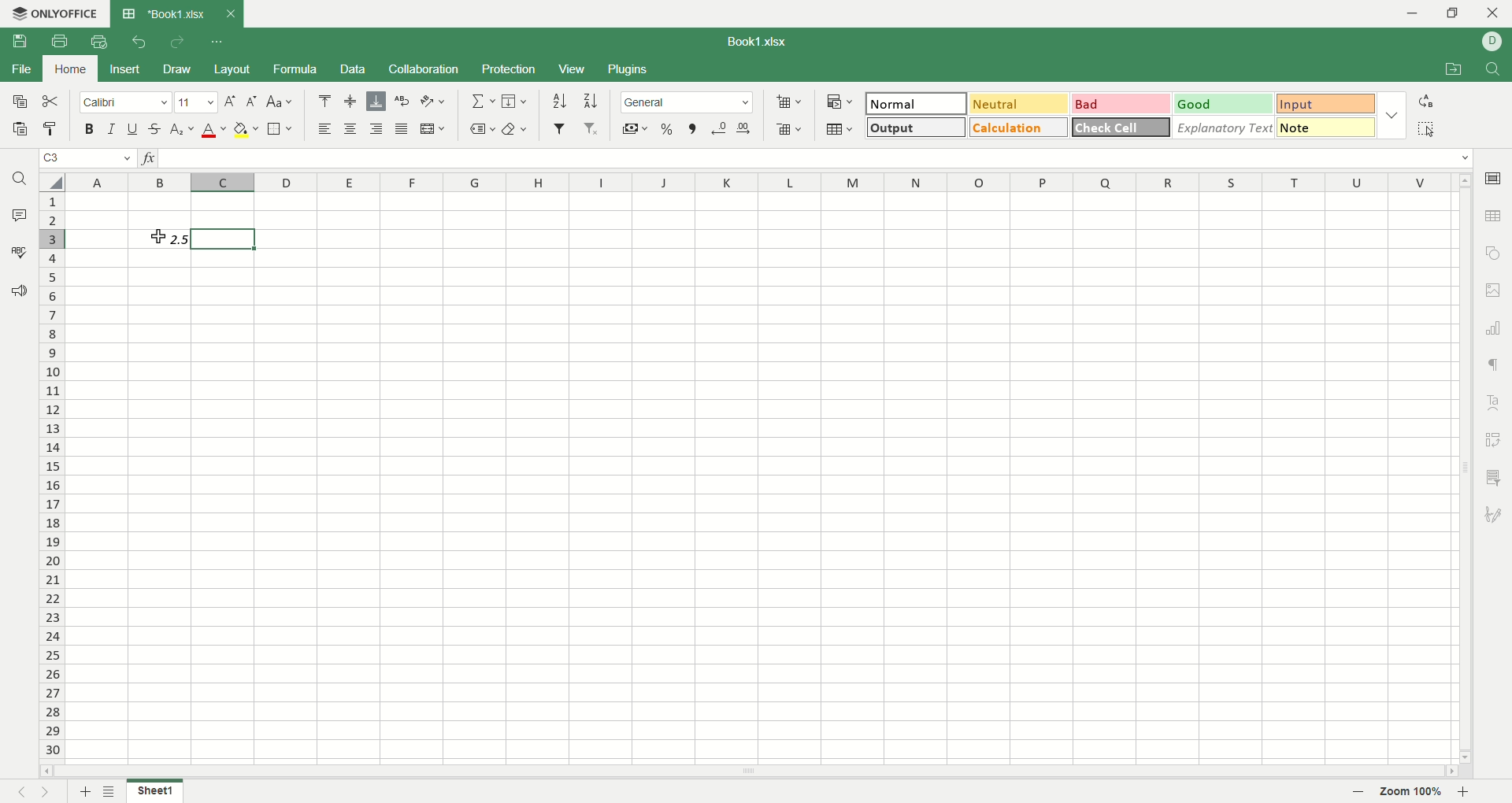 The height and width of the screenshot is (803, 1512). What do you see at coordinates (840, 131) in the screenshot?
I see `table` at bounding box center [840, 131].